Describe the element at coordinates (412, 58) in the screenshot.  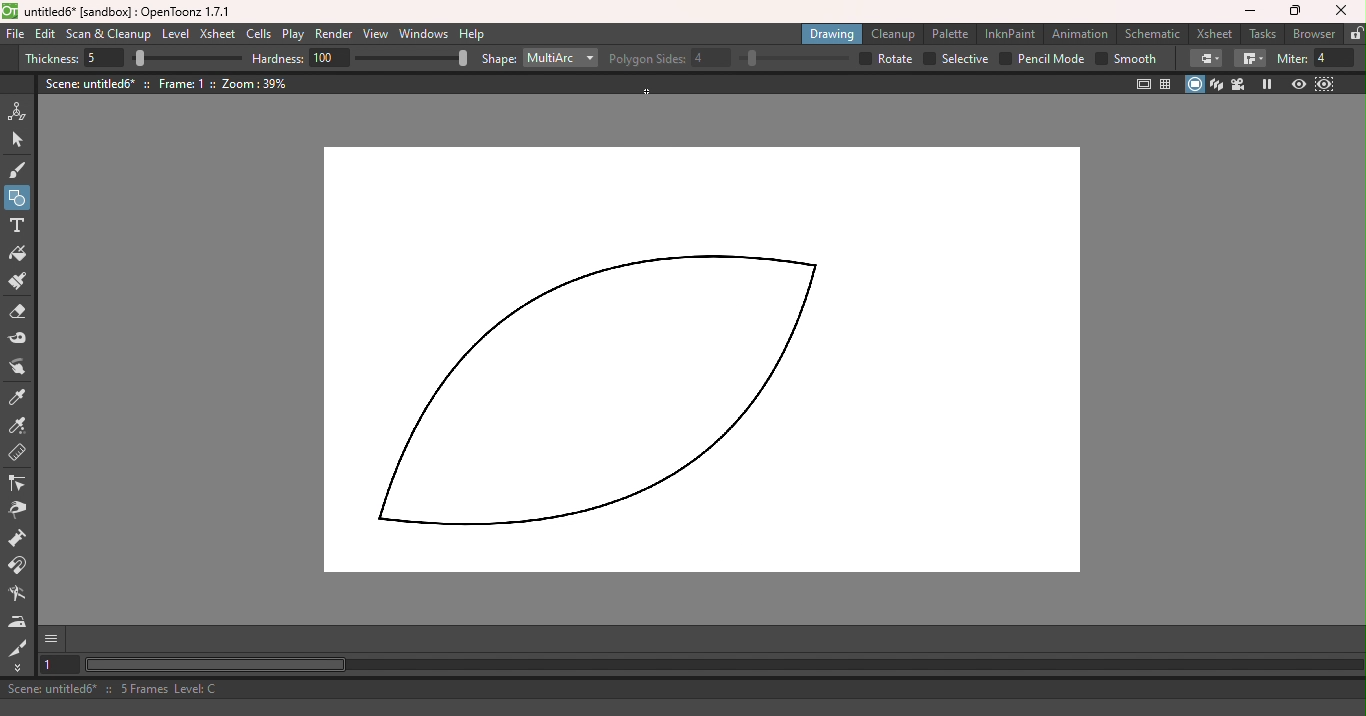
I see `Hardness bar` at that location.